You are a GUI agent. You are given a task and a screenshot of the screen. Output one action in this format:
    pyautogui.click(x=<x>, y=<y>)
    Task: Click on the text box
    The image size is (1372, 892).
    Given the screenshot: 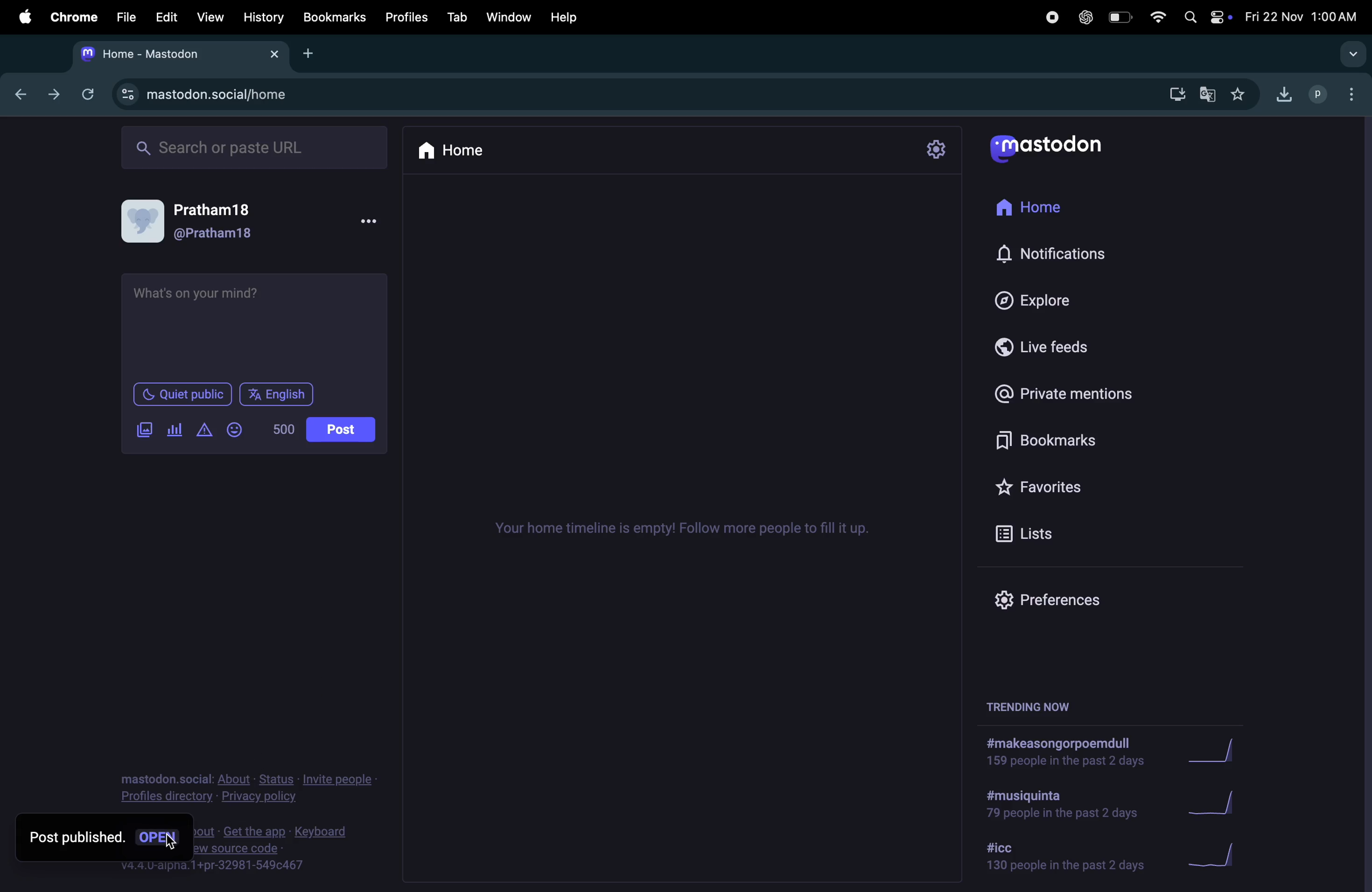 What is the action you would take?
    pyautogui.click(x=258, y=325)
    